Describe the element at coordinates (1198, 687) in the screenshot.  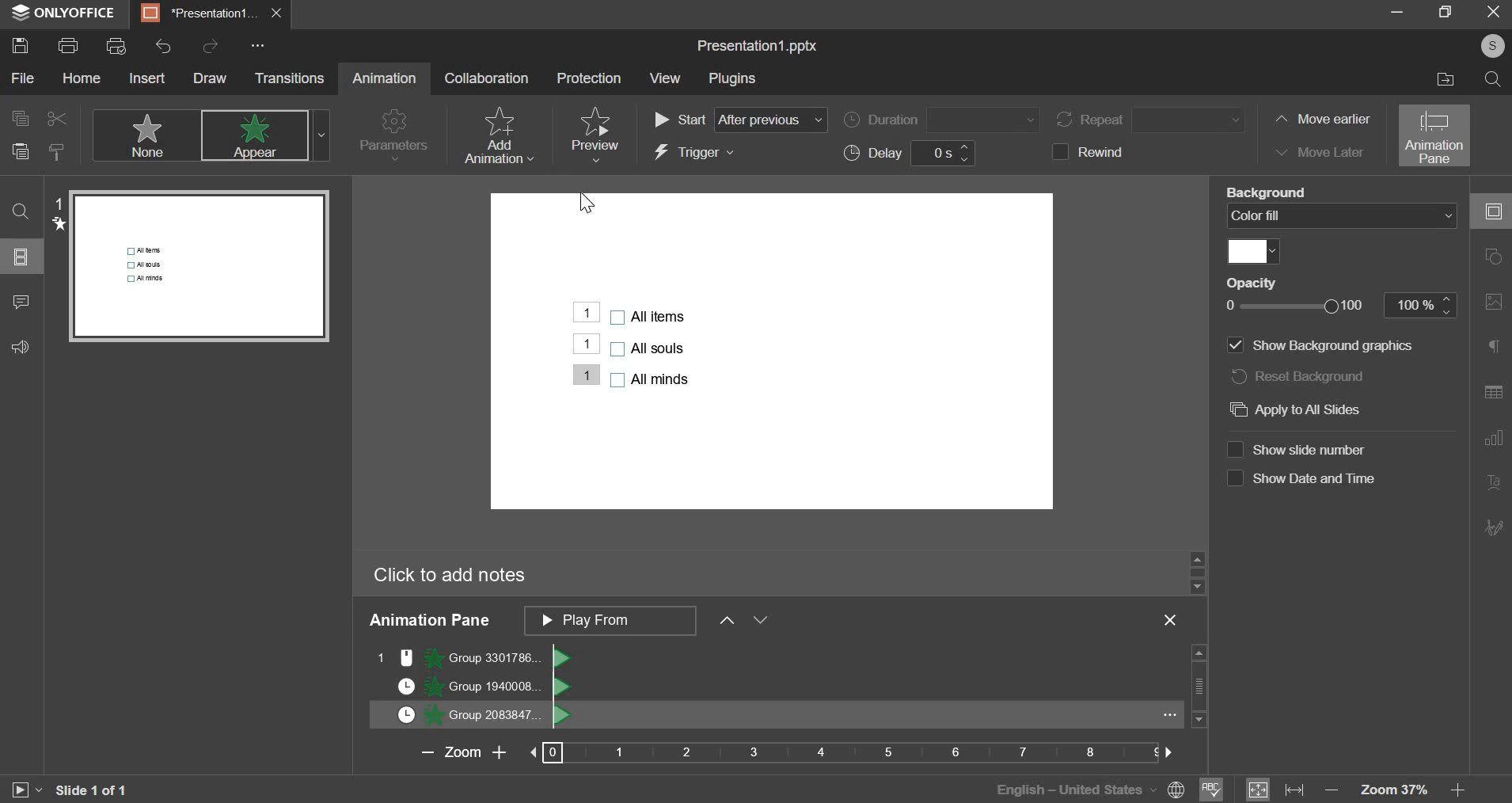
I see `vertical slider` at that location.